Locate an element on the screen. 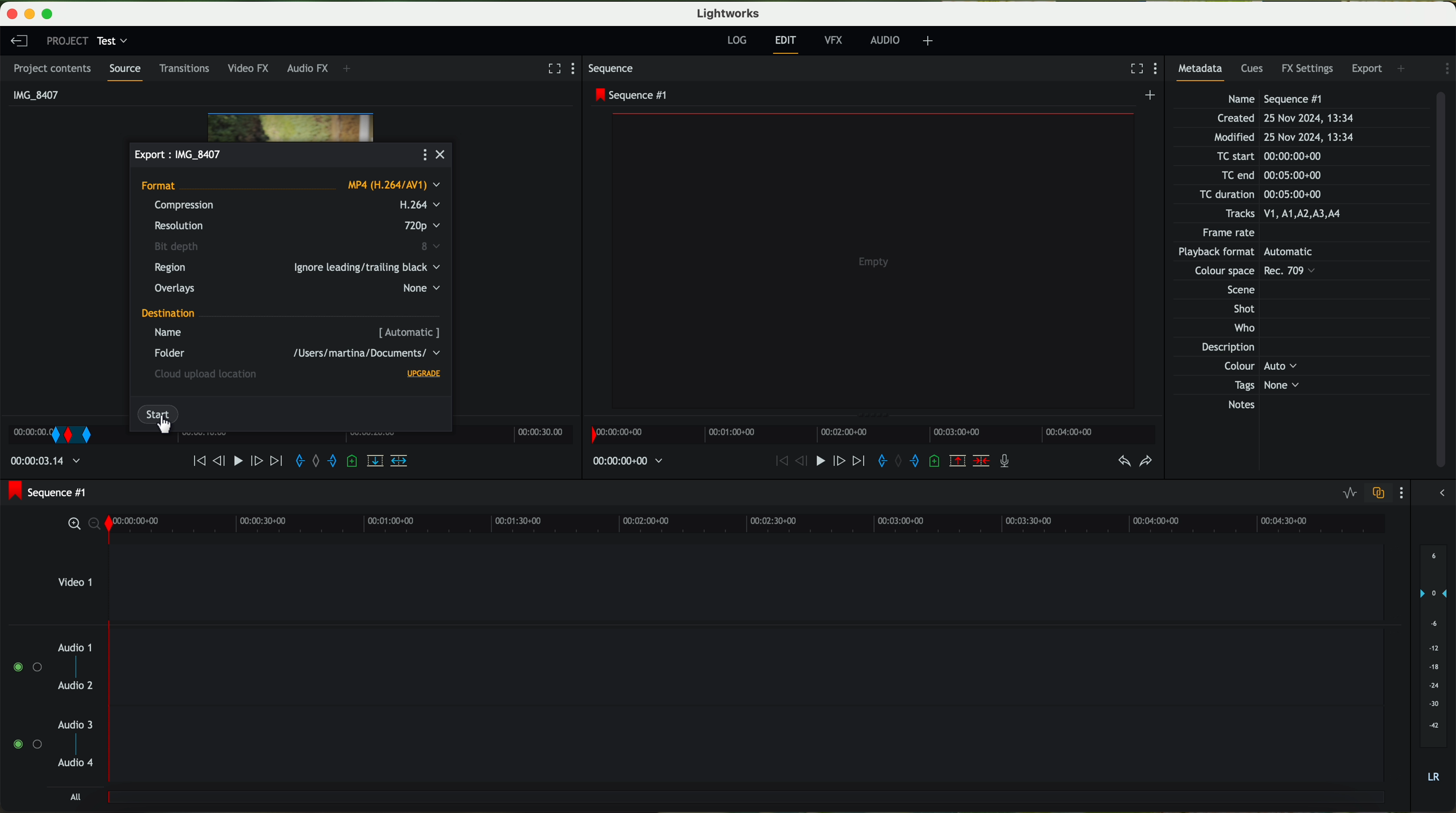 The height and width of the screenshot is (813, 1456). log is located at coordinates (738, 41).